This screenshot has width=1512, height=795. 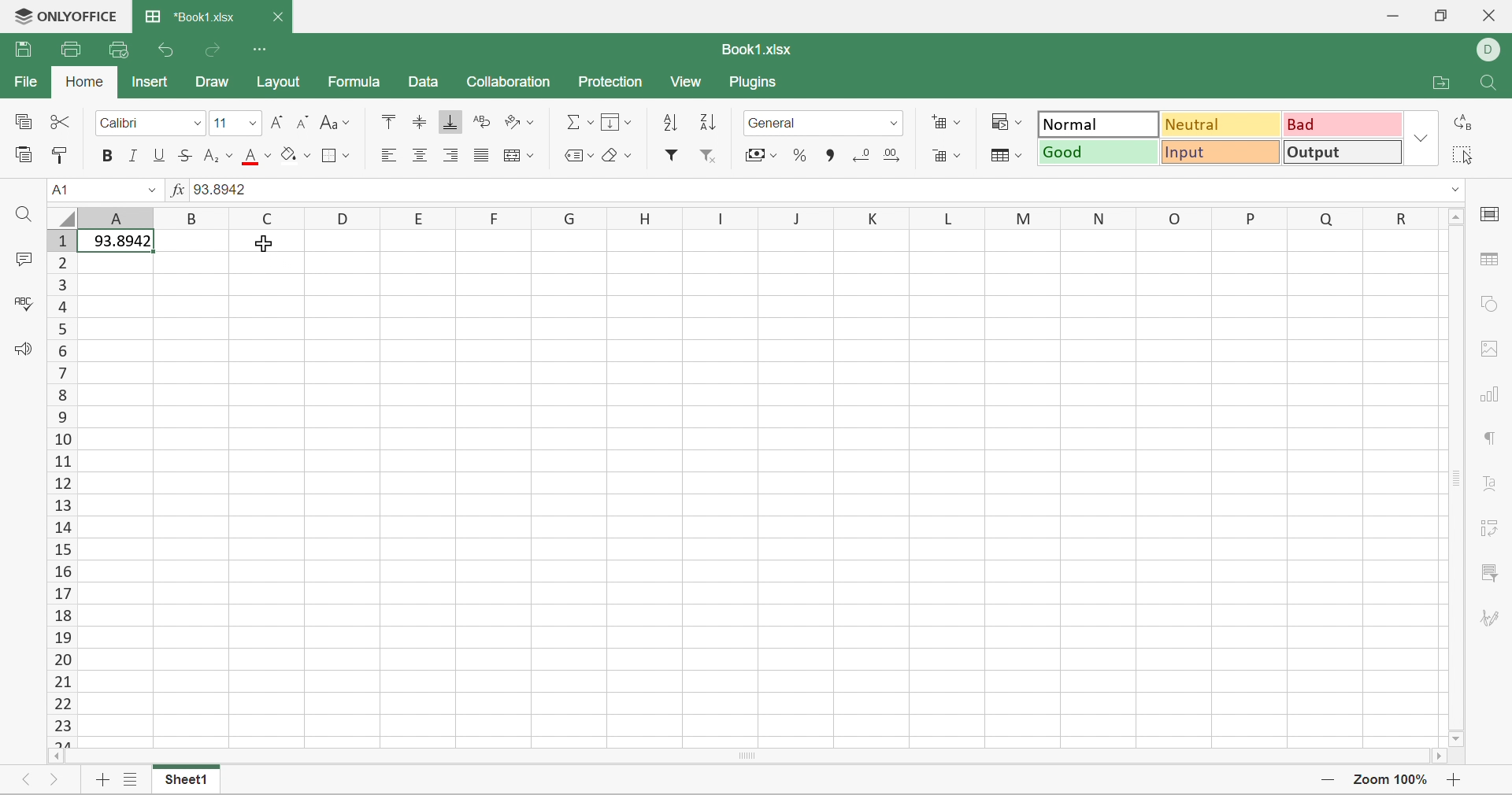 What do you see at coordinates (1440, 84) in the screenshot?
I see `Open file location` at bounding box center [1440, 84].